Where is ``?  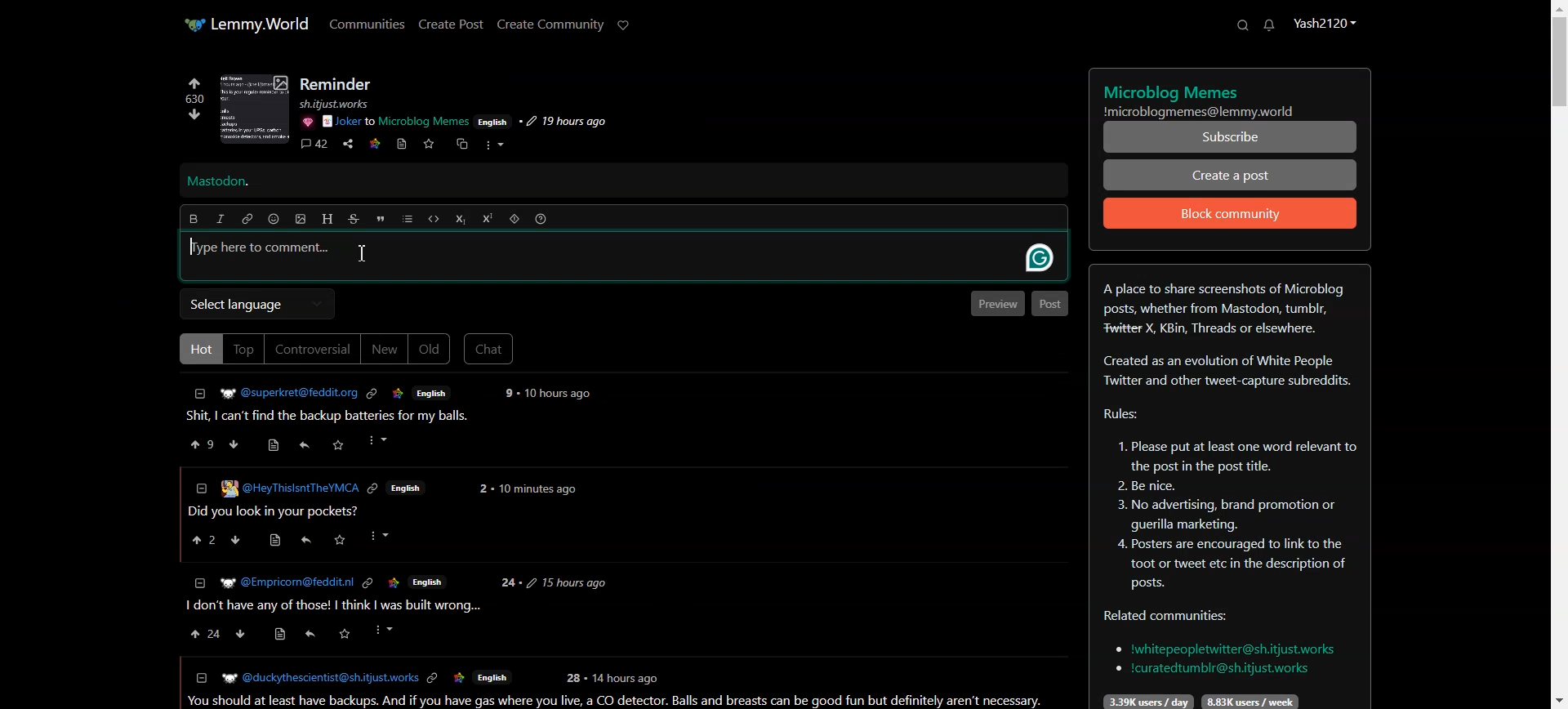
 is located at coordinates (308, 636).